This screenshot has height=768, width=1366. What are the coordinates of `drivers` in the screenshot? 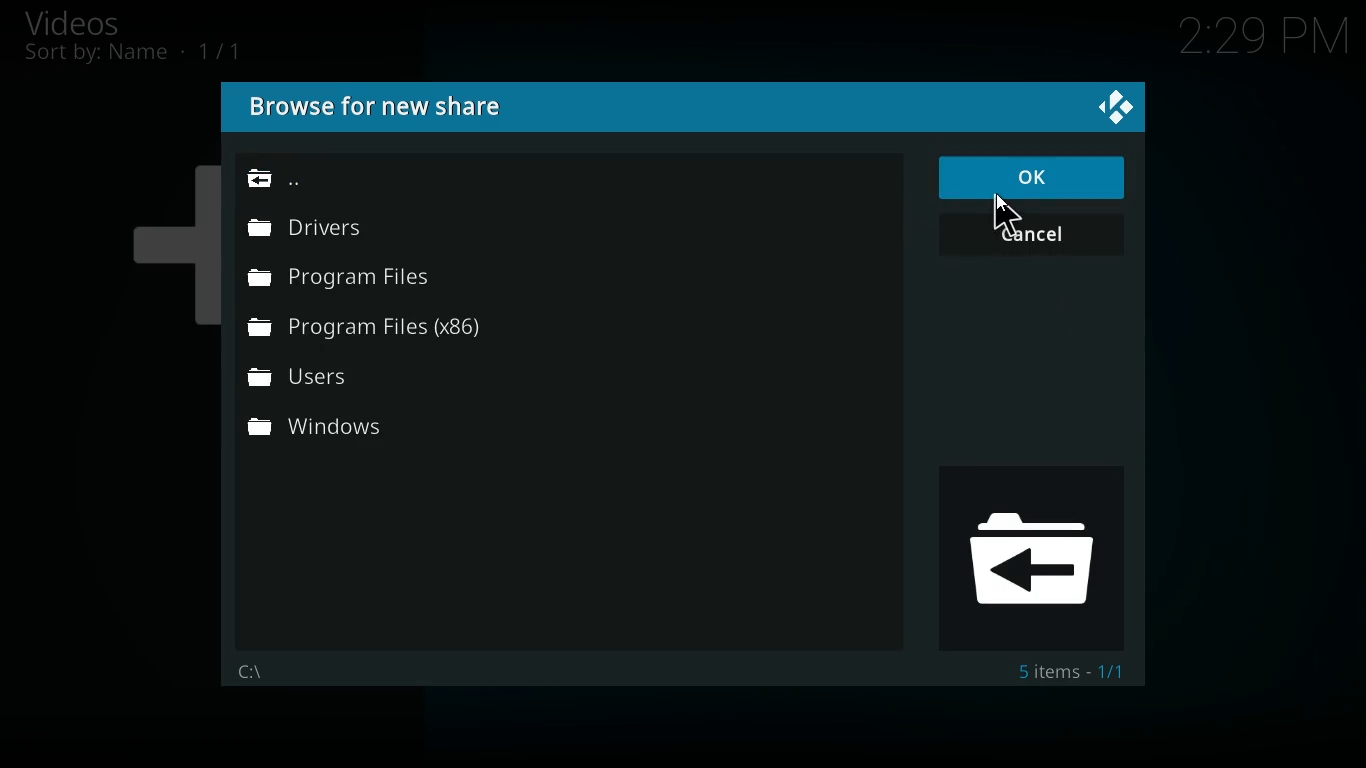 It's located at (312, 233).